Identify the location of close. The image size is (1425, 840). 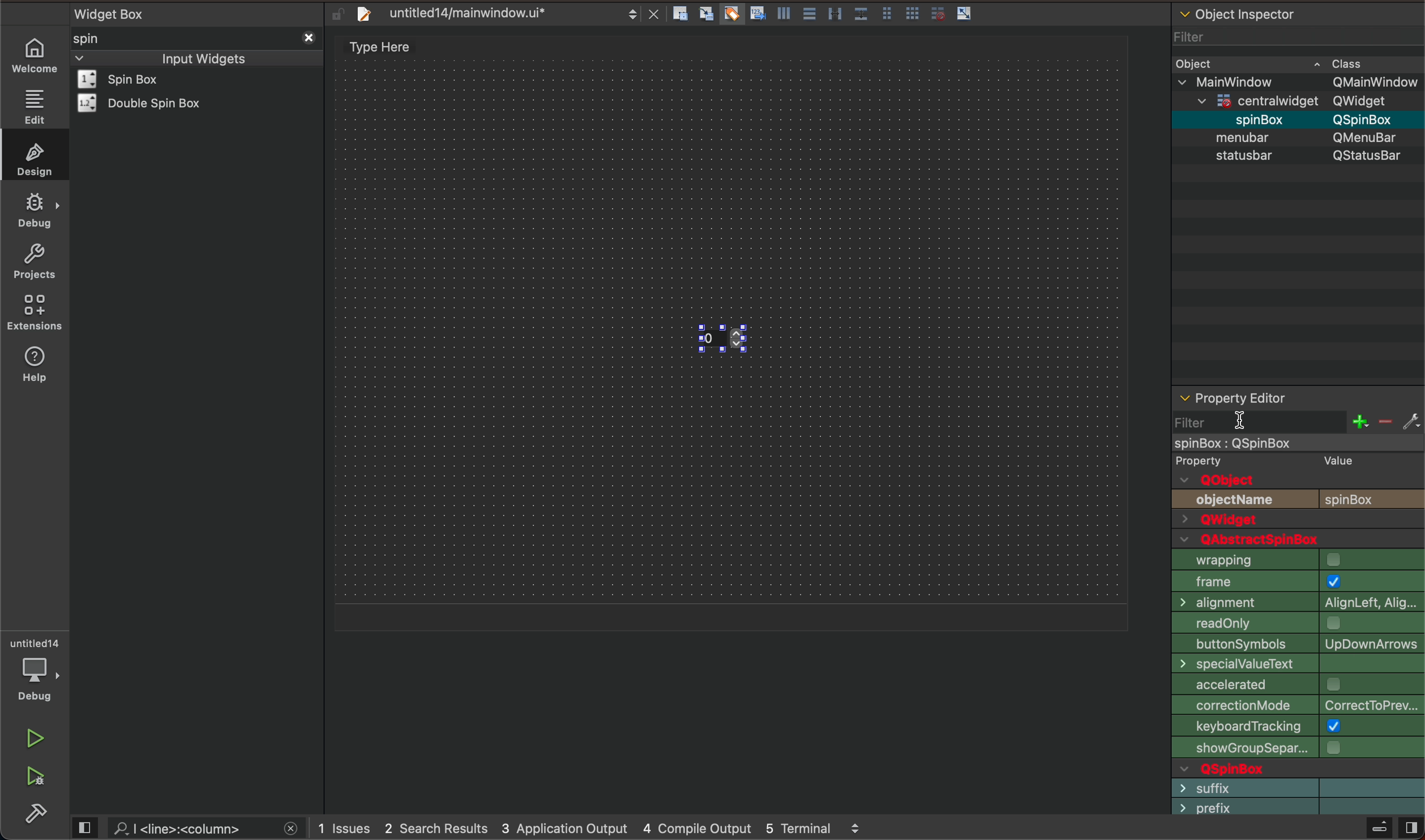
(307, 36).